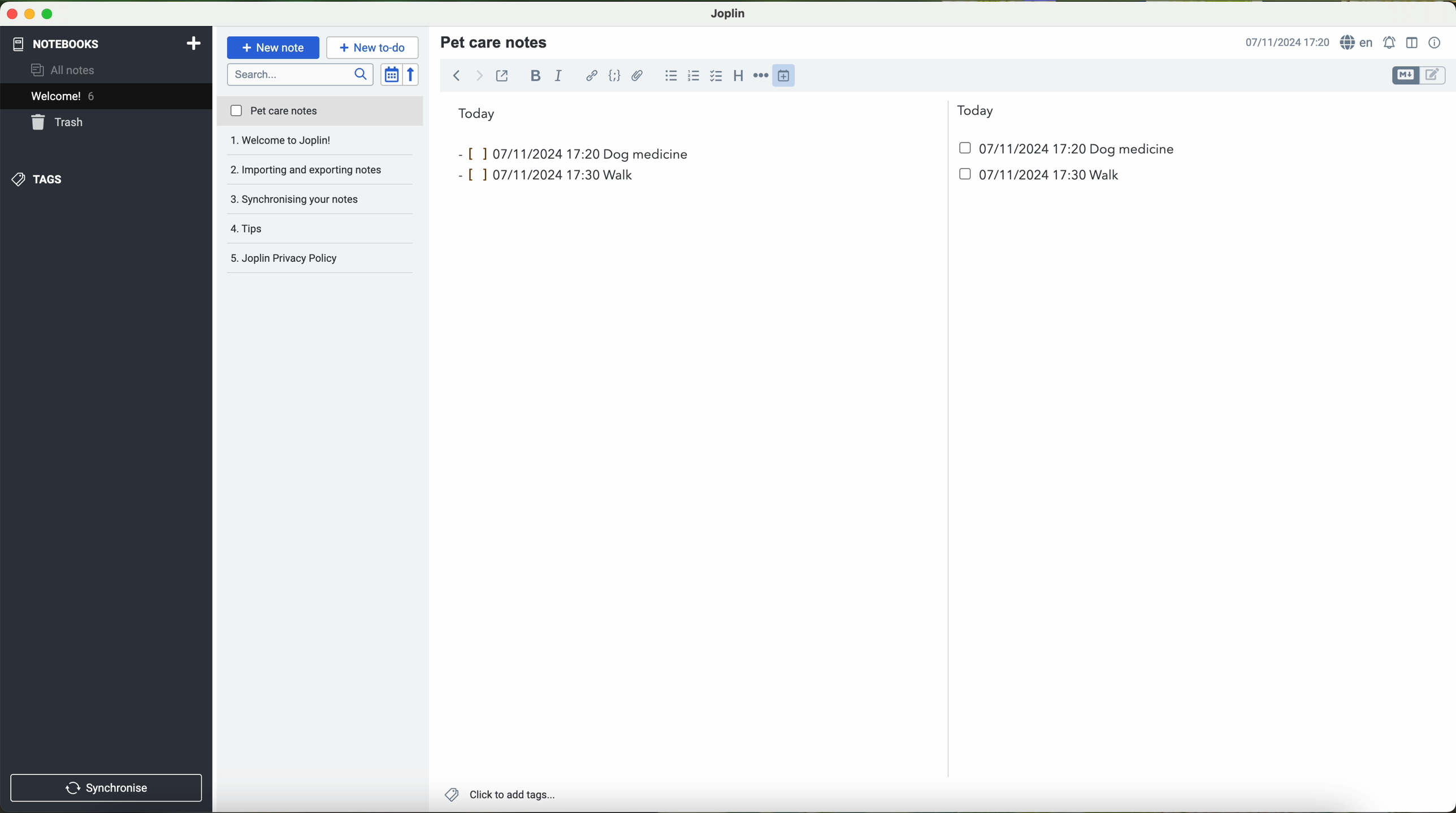 Image resolution: width=1456 pixels, height=813 pixels. What do you see at coordinates (1412, 42) in the screenshot?
I see `toggle editor layout` at bounding box center [1412, 42].